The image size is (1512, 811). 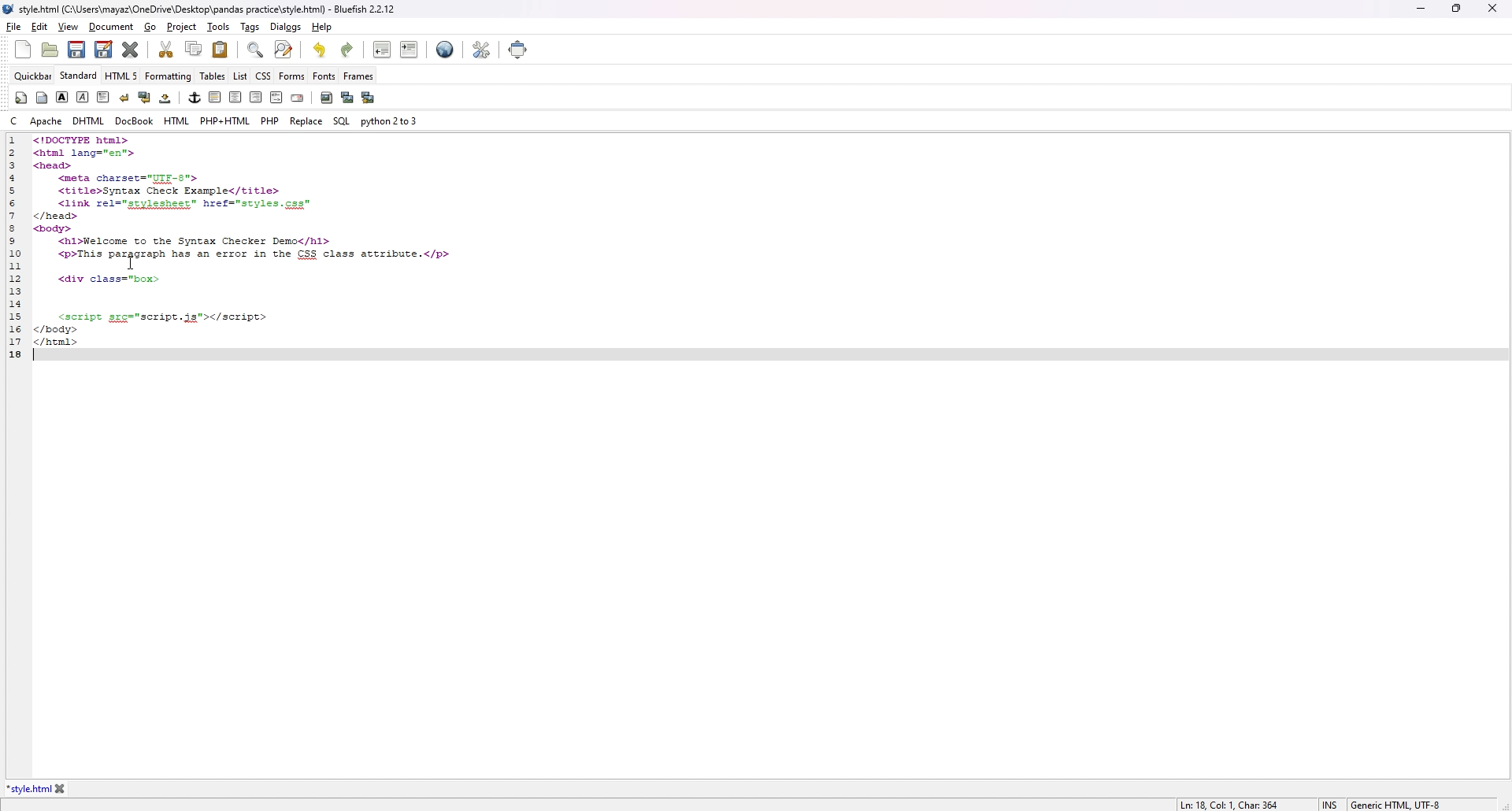 What do you see at coordinates (286, 27) in the screenshot?
I see `dialogs` at bounding box center [286, 27].